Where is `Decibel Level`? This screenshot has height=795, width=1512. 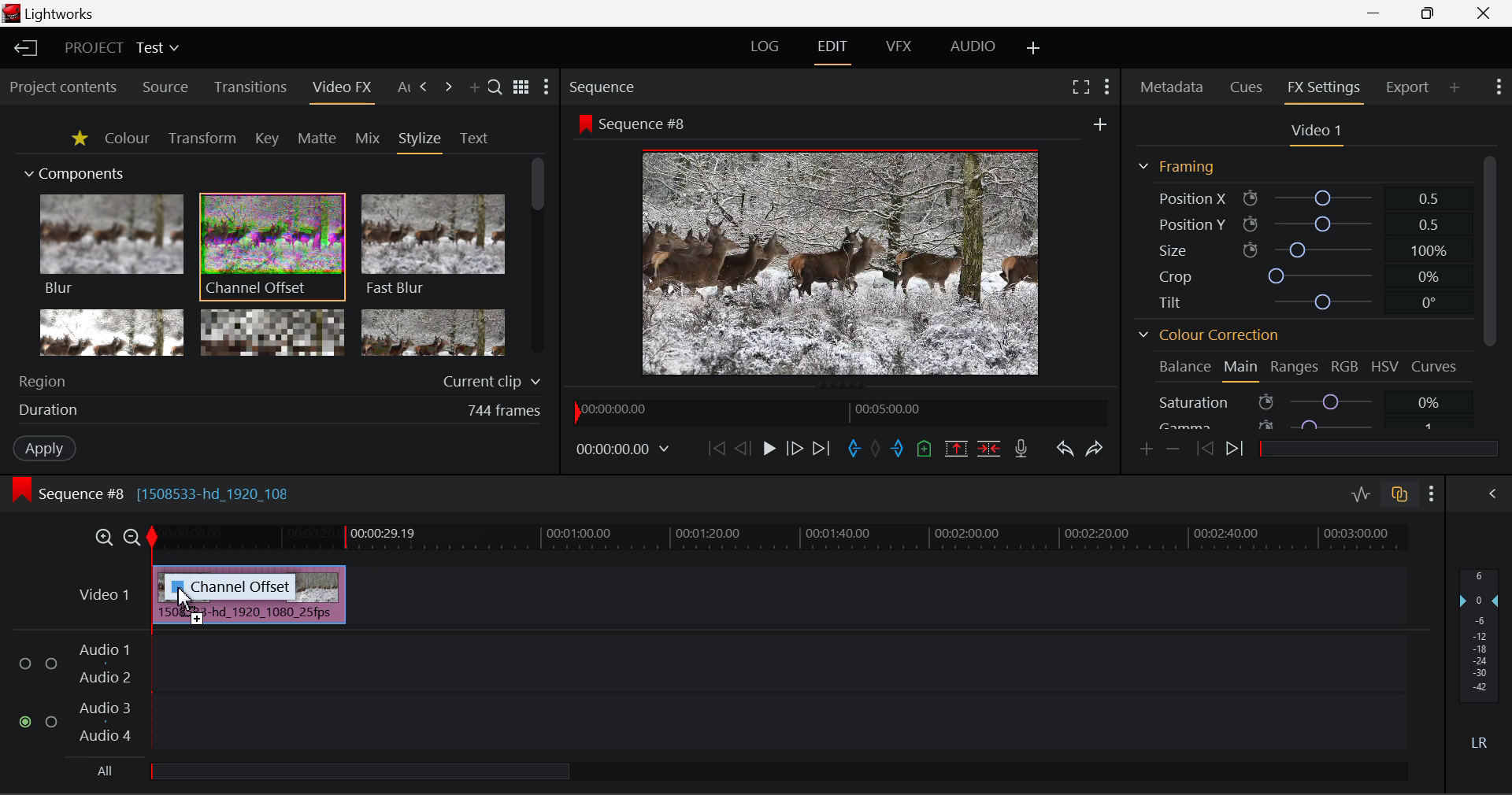
Decibel Level is located at coordinates (1480, 657).